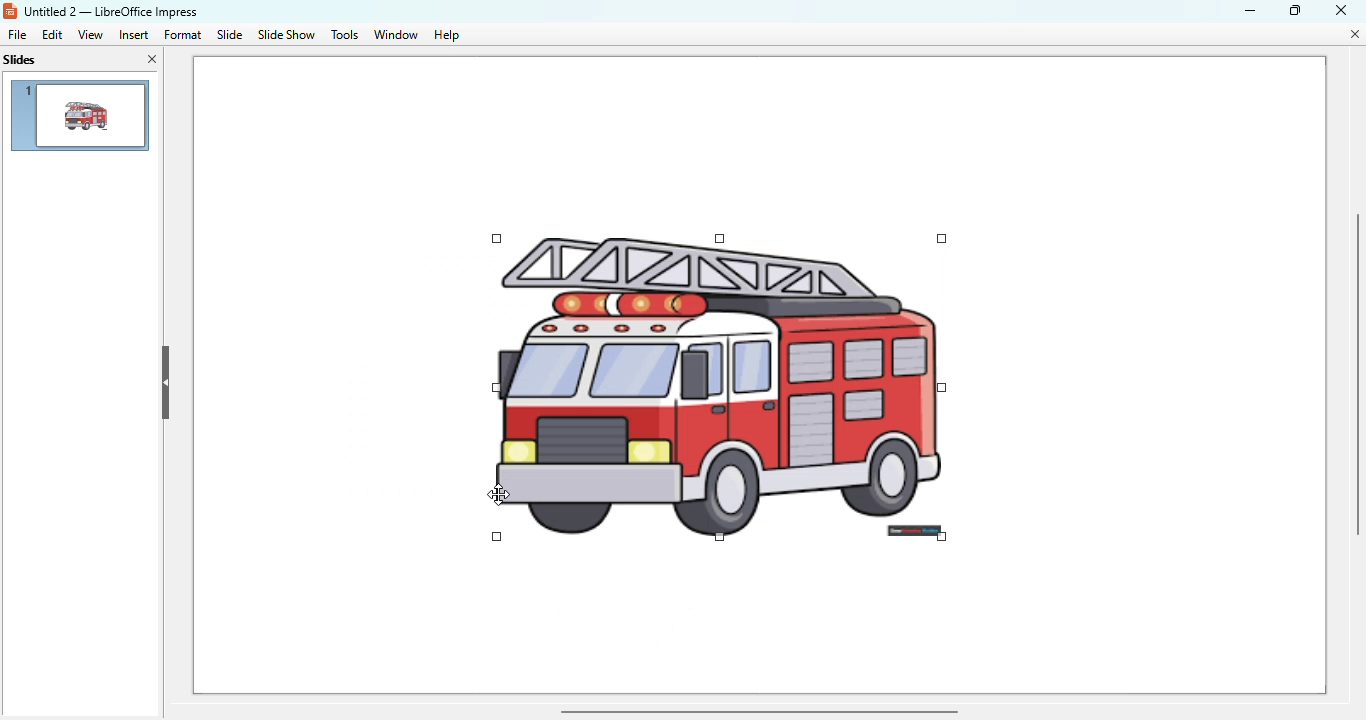  I want to click on horizontal scroll bar, so click(759, 712).